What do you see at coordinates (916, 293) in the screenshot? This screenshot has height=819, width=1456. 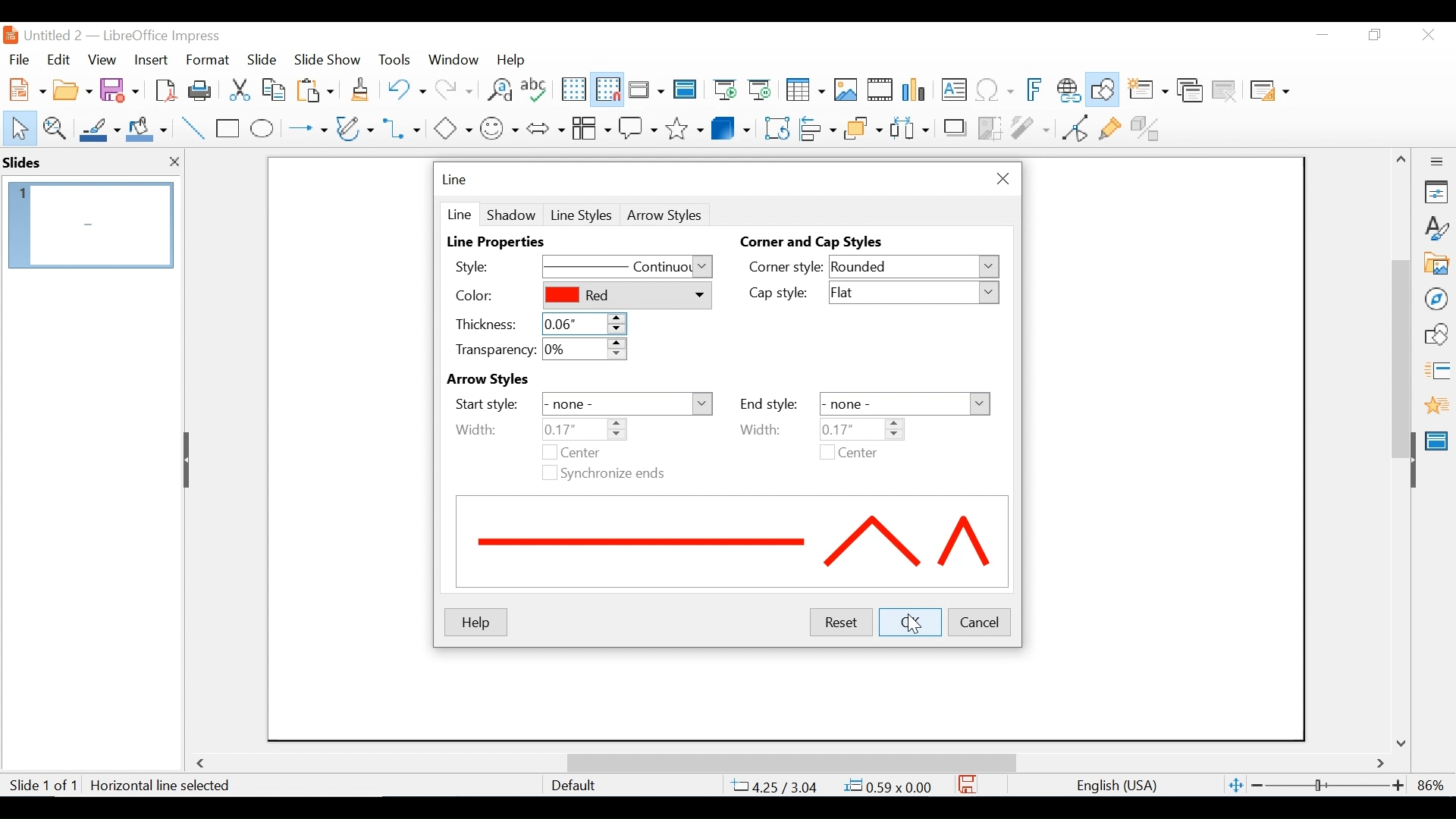 I see `Flat` at bounding box center [916, 293].